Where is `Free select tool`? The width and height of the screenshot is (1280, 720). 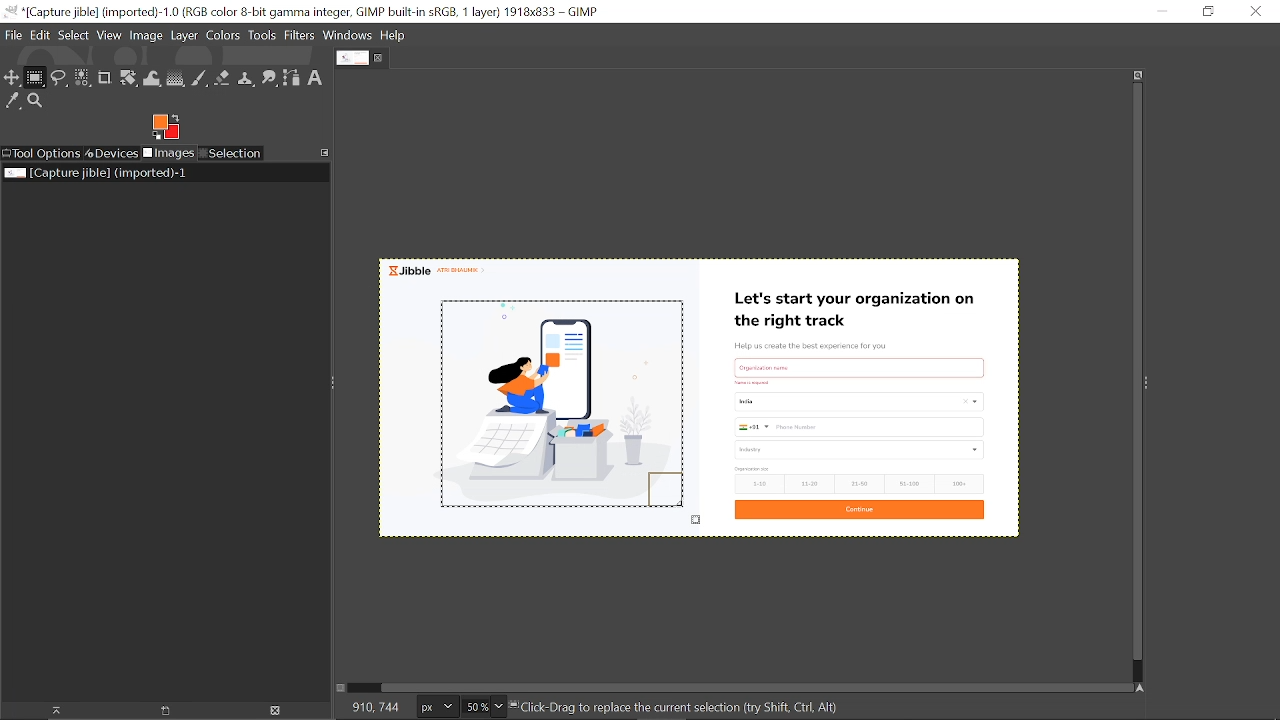
Free select tool is located at coordinates (60, 79).